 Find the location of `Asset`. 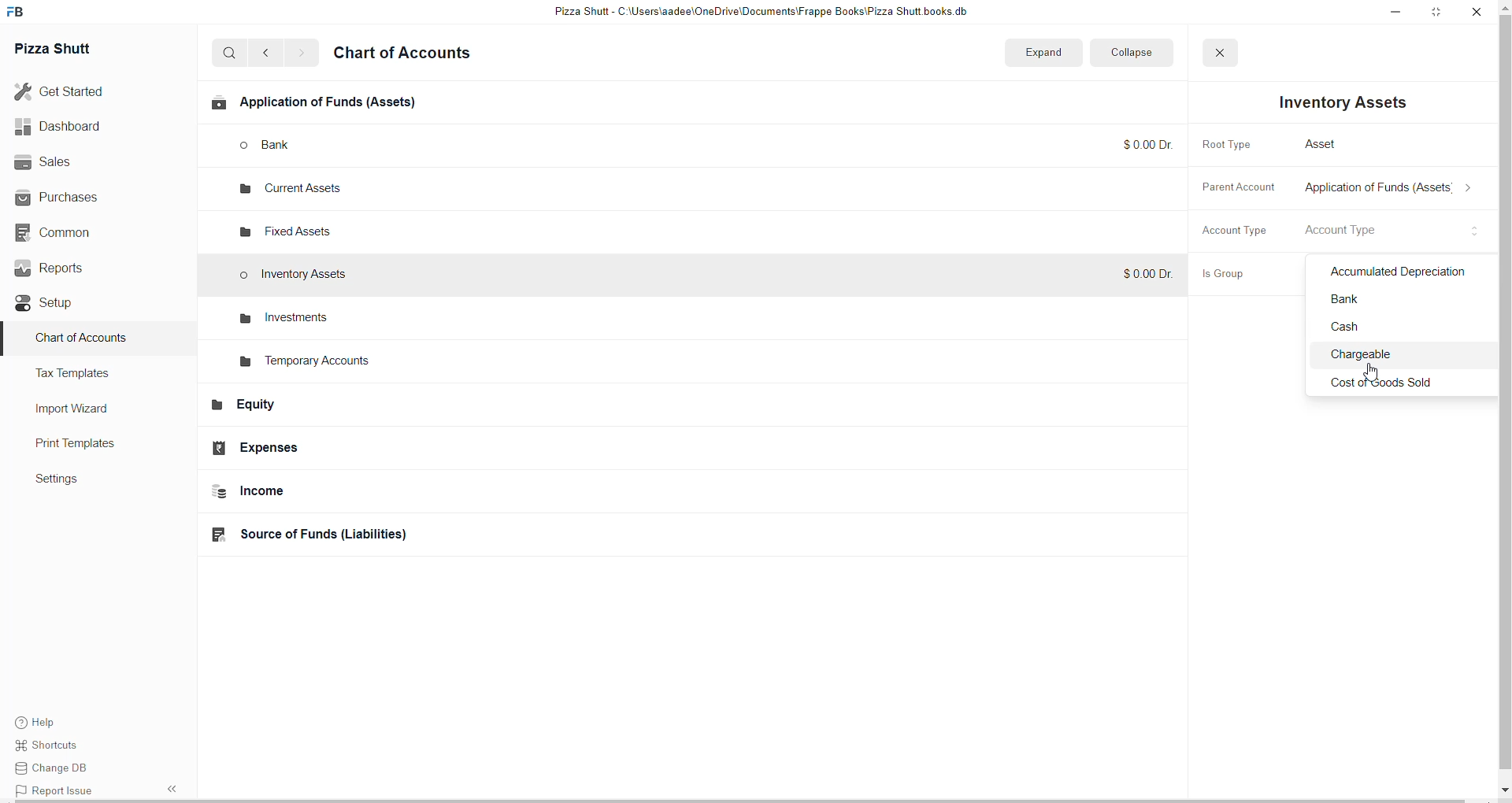

Asset is located at coordinates (1329, 142).